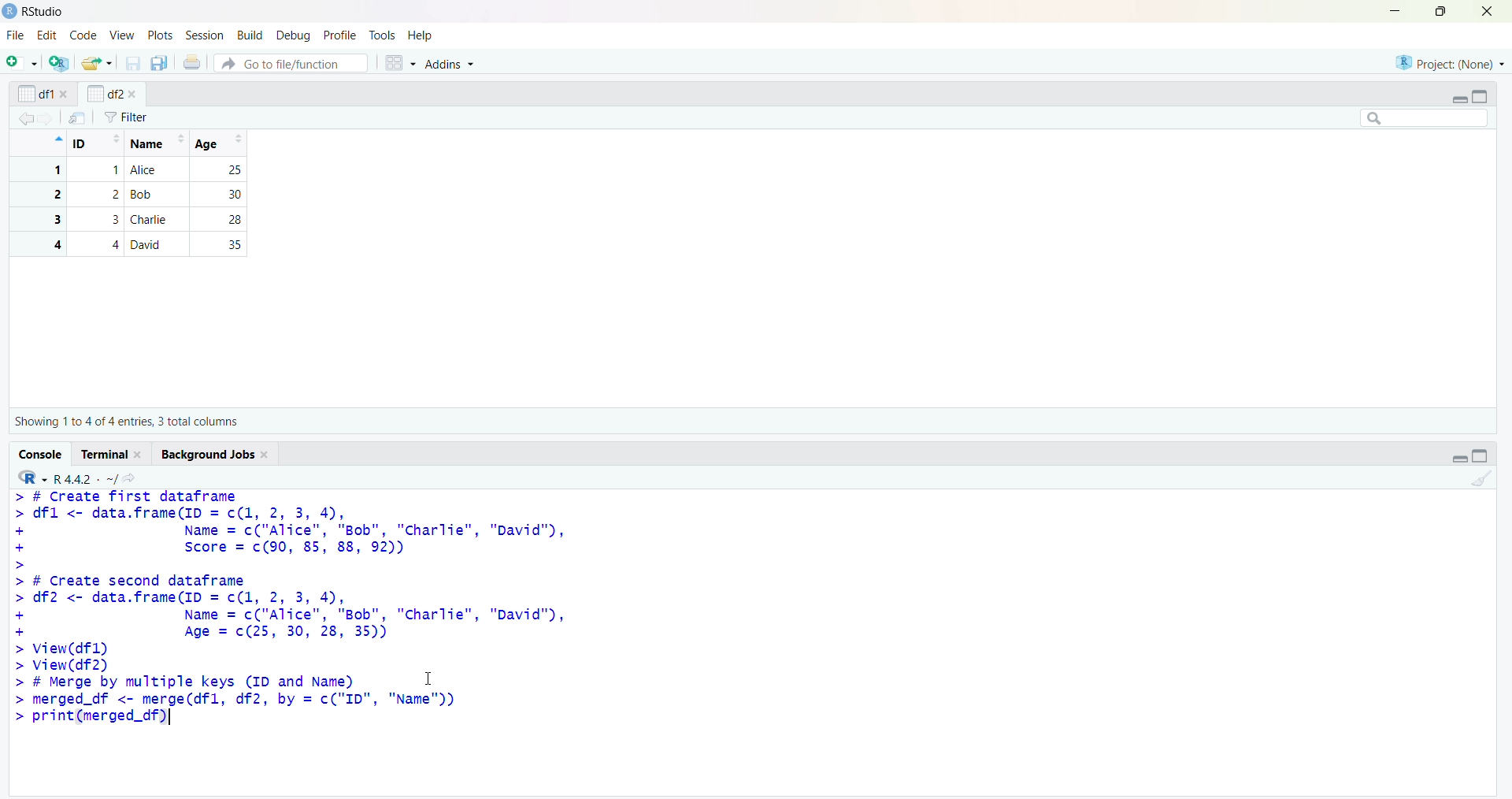 The width and height of the screenshot is (1512, 799). What do you see at coordinates (339, 35) in the screenshot?
I see `profile` at bounding box center [339, 35].